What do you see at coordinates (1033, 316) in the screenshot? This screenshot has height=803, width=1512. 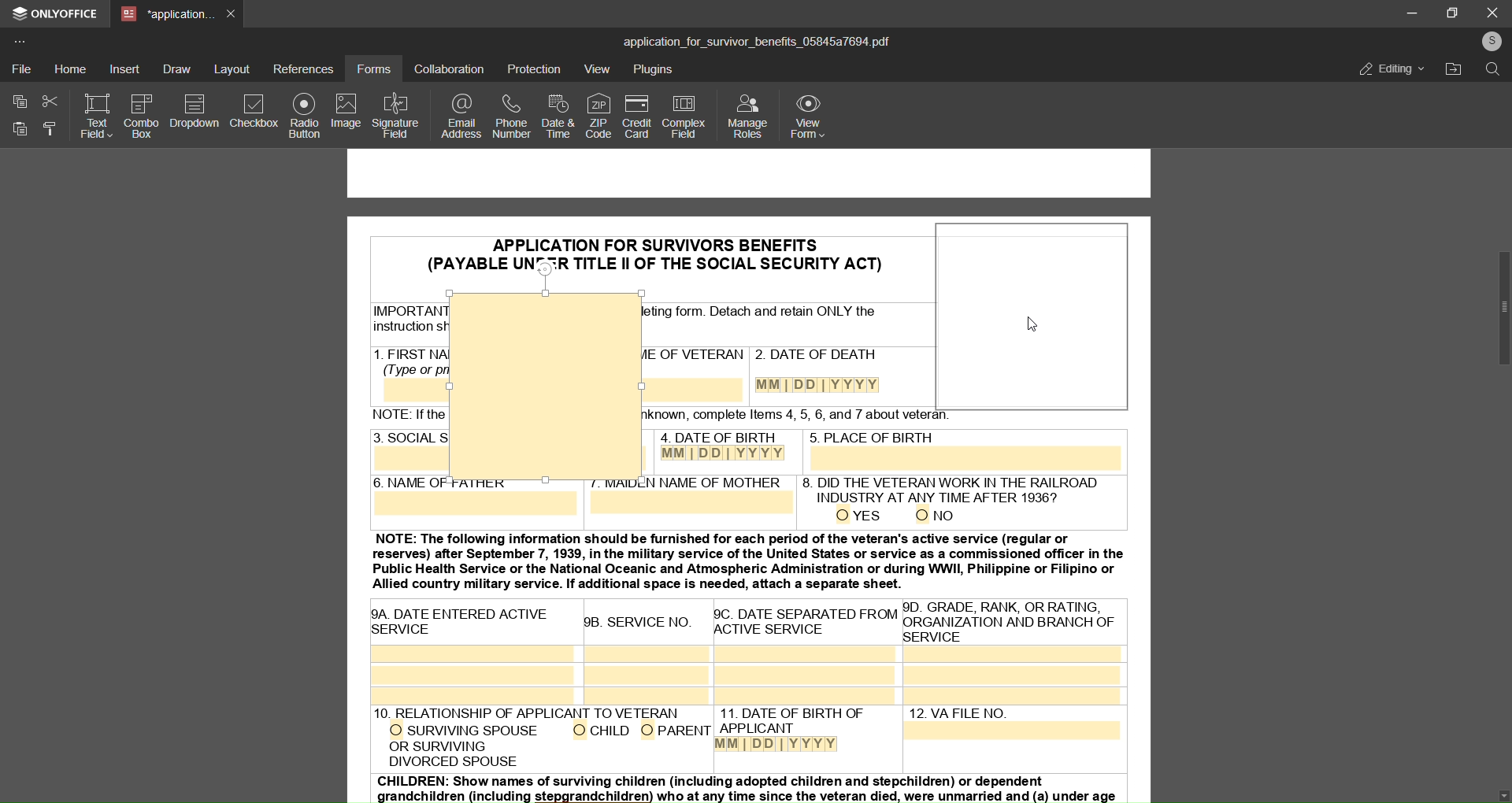 I see `repositioned box` at bounding box center [1033, 316].